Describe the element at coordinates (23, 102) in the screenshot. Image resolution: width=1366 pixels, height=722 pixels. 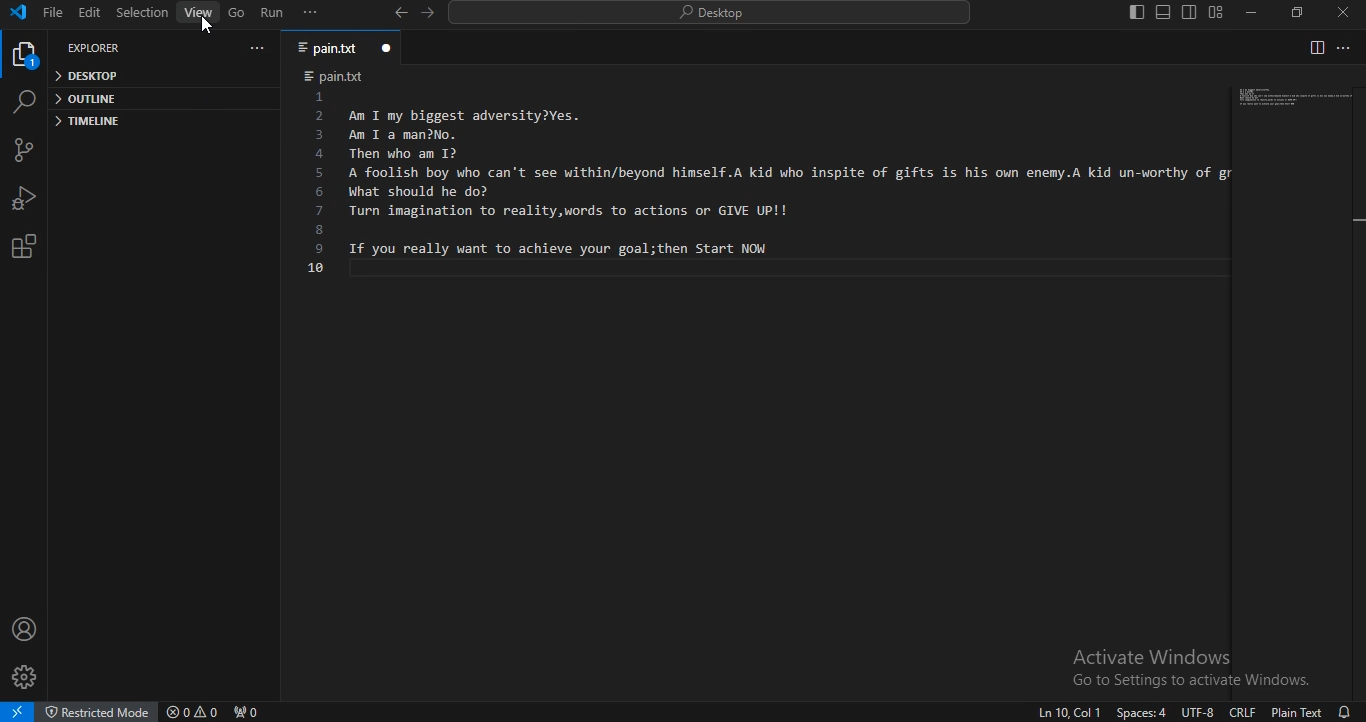
I see `search` at that location.